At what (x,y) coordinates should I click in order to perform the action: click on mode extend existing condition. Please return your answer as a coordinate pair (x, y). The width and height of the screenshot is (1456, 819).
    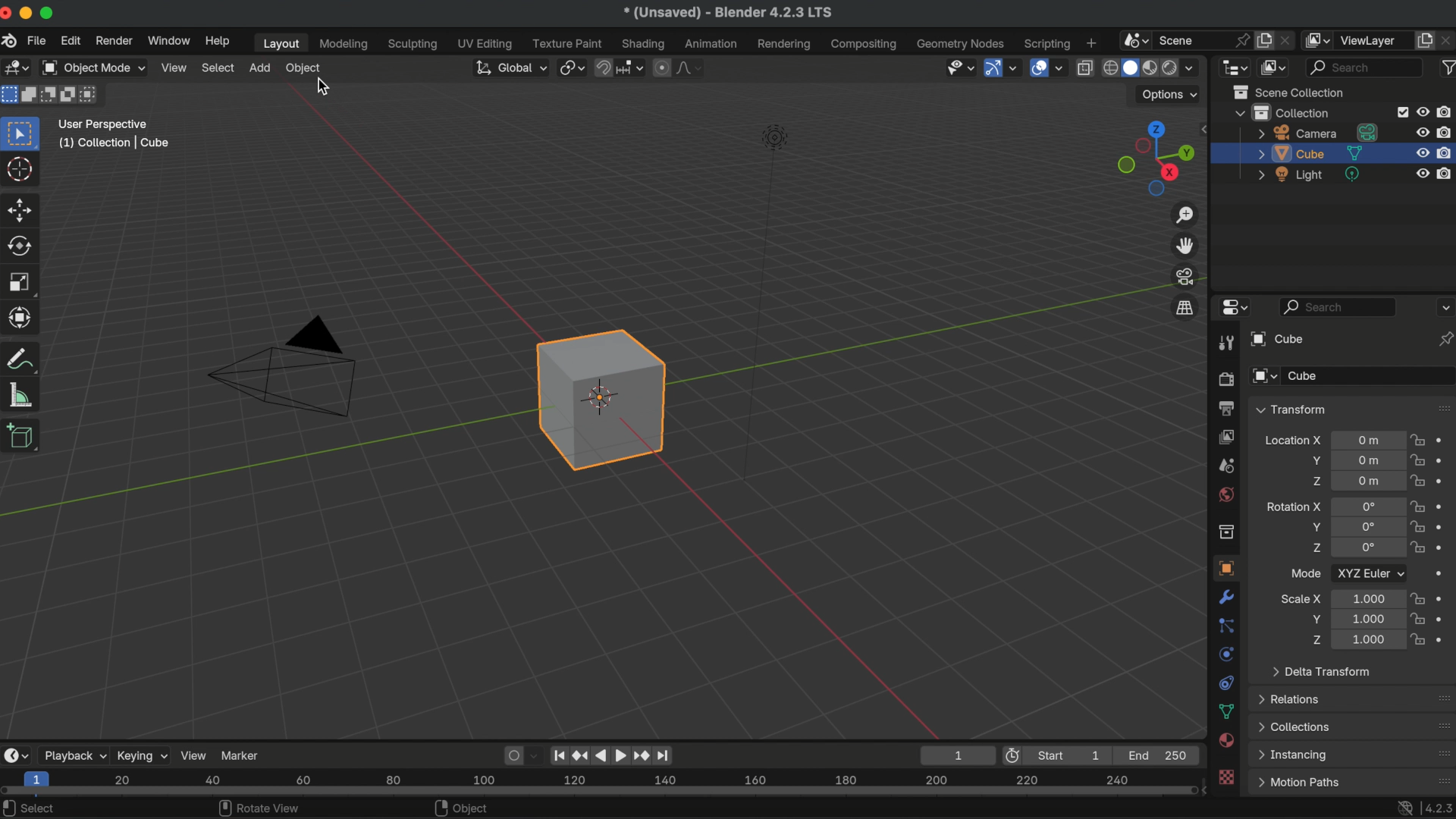
    Looking at the image, I should click on (31, 94).